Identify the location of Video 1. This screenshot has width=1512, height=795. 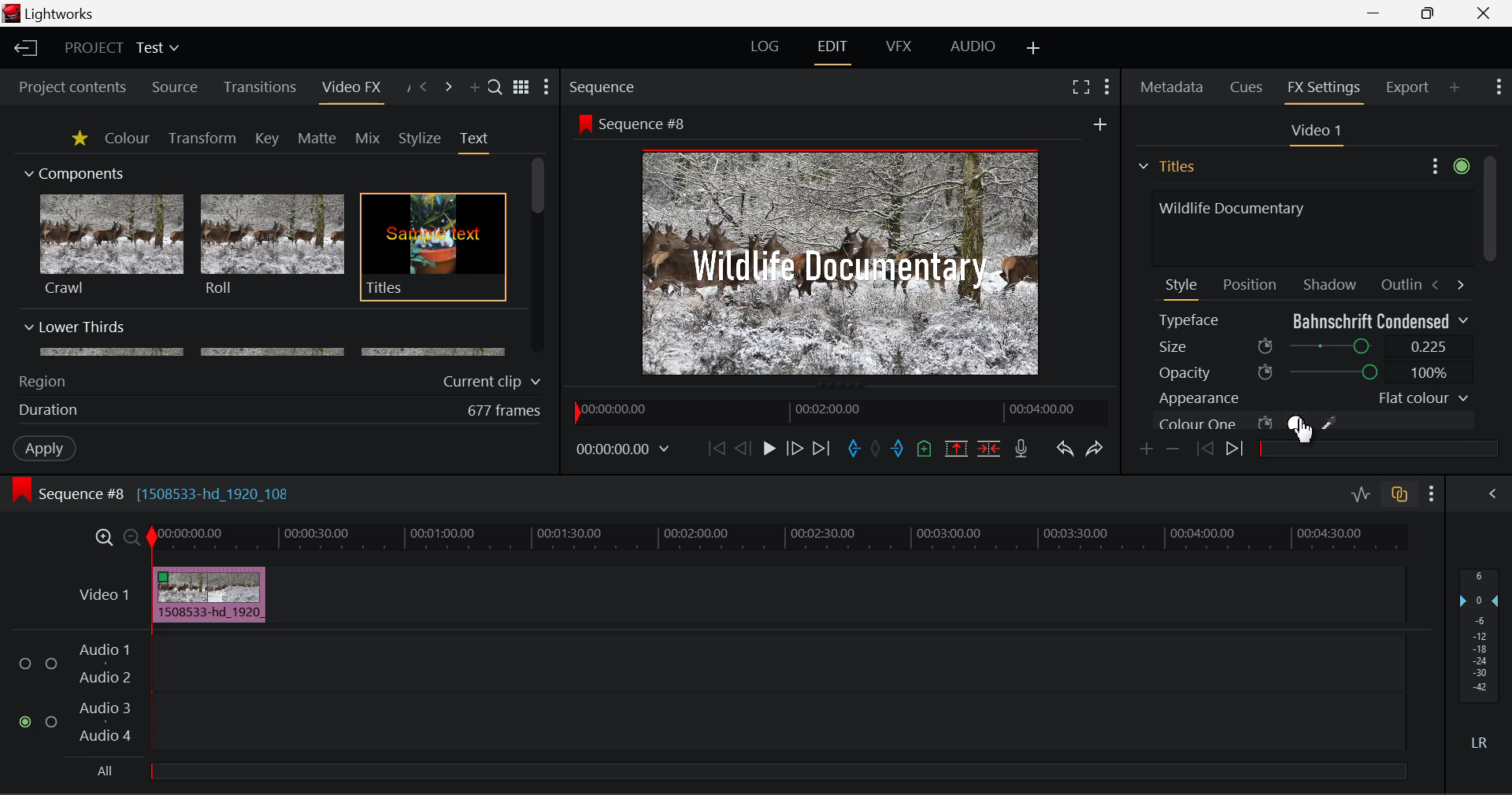
(106, 594).